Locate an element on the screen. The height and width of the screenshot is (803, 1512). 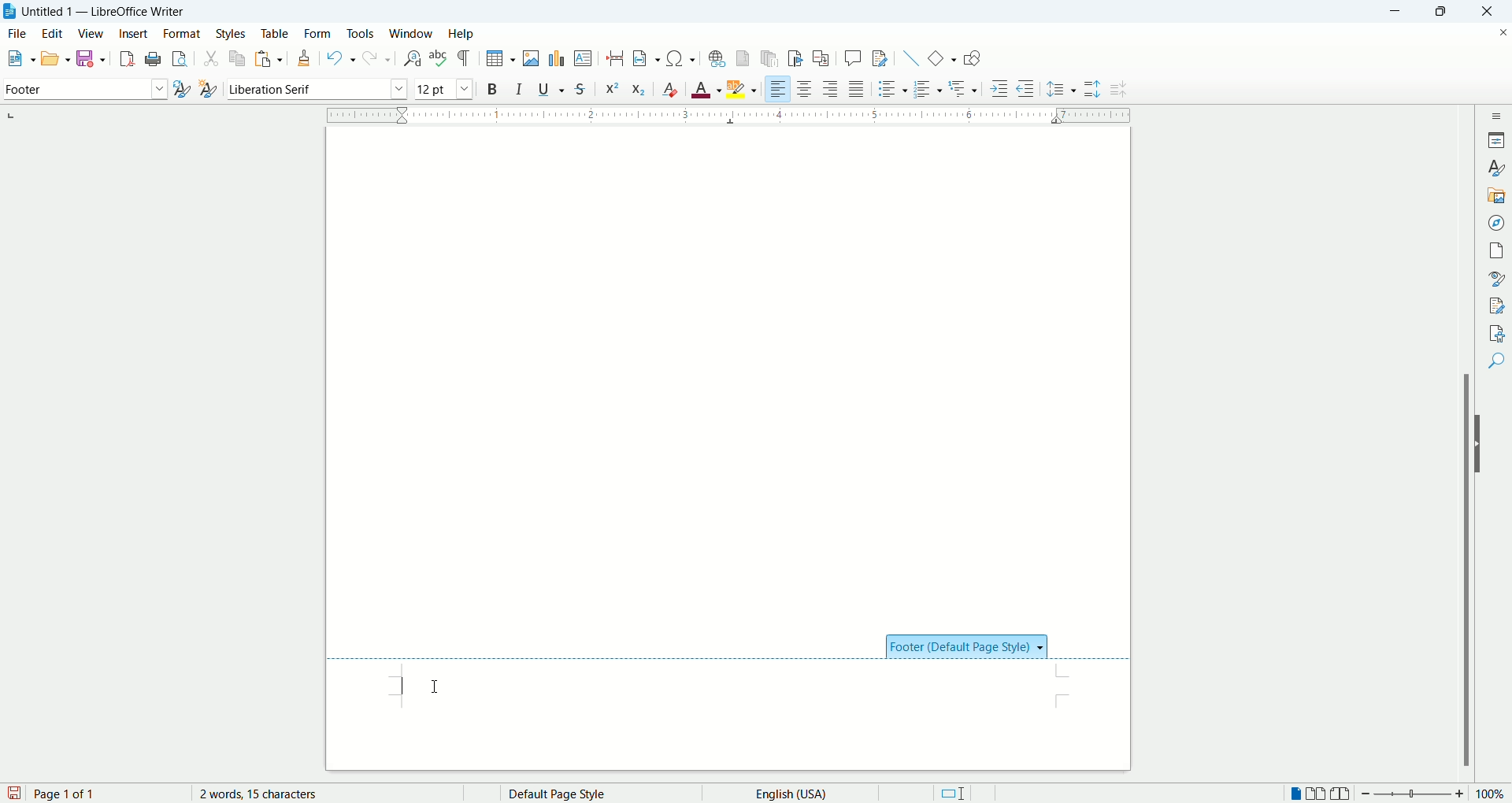
book view is located at coordinates (1341, 794).